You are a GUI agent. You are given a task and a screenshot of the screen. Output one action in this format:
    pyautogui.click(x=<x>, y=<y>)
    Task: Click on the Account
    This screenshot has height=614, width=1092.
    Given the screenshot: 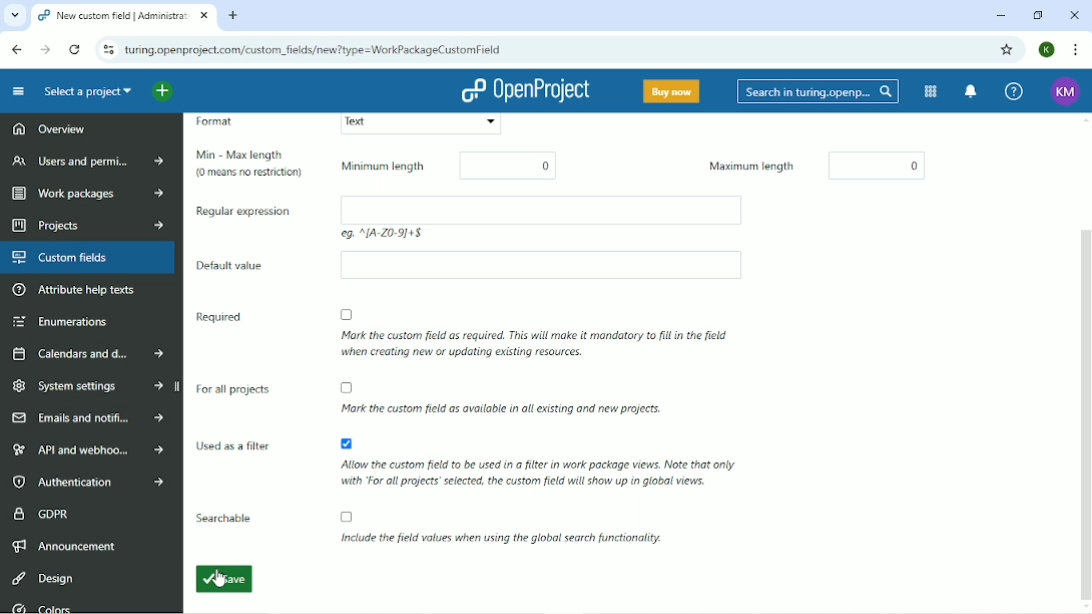 What is the action you would take?
    pyautogui.click(x=1046, y=49)
    